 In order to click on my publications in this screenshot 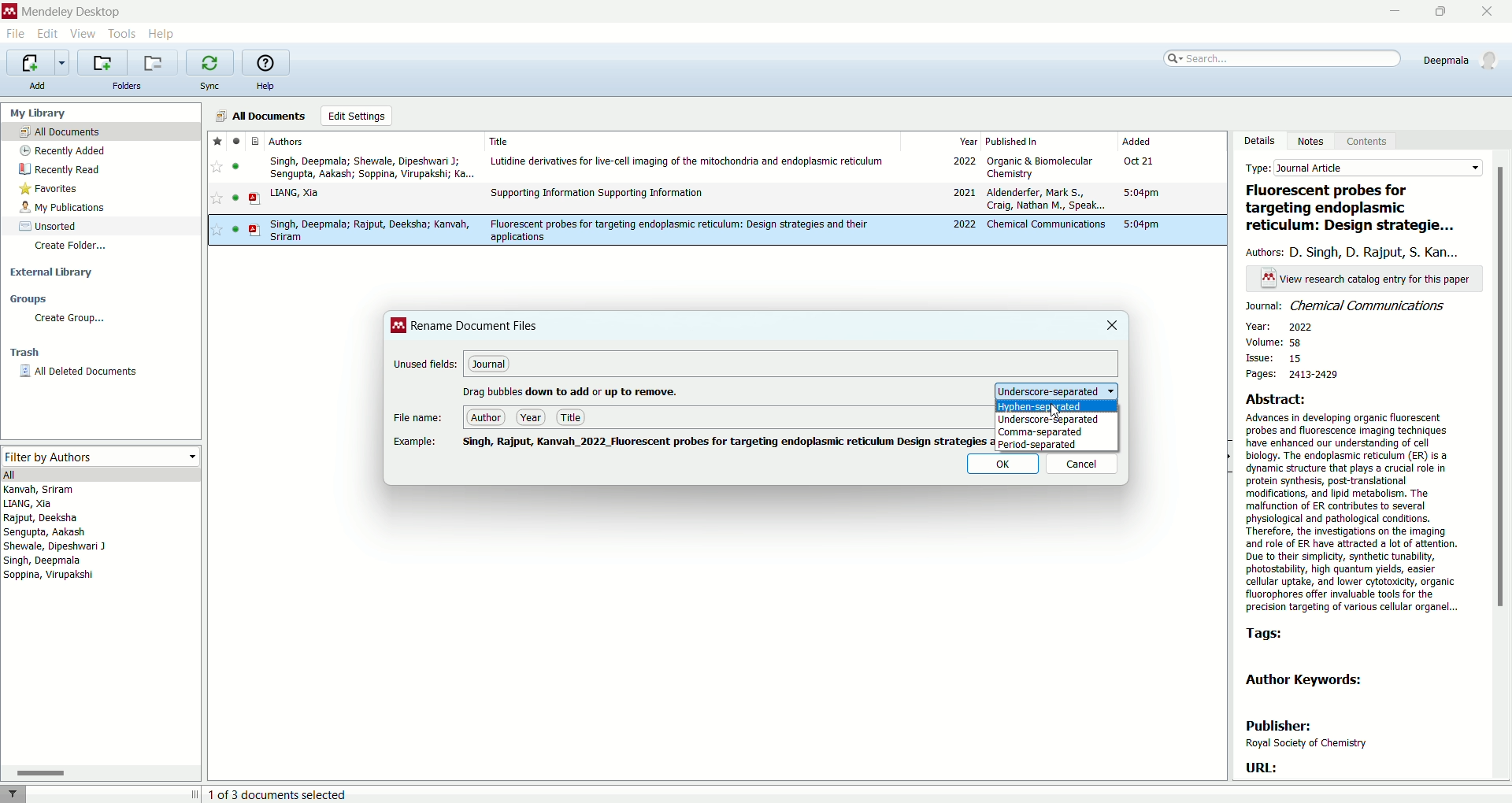, I will do `click(65, 209)`.